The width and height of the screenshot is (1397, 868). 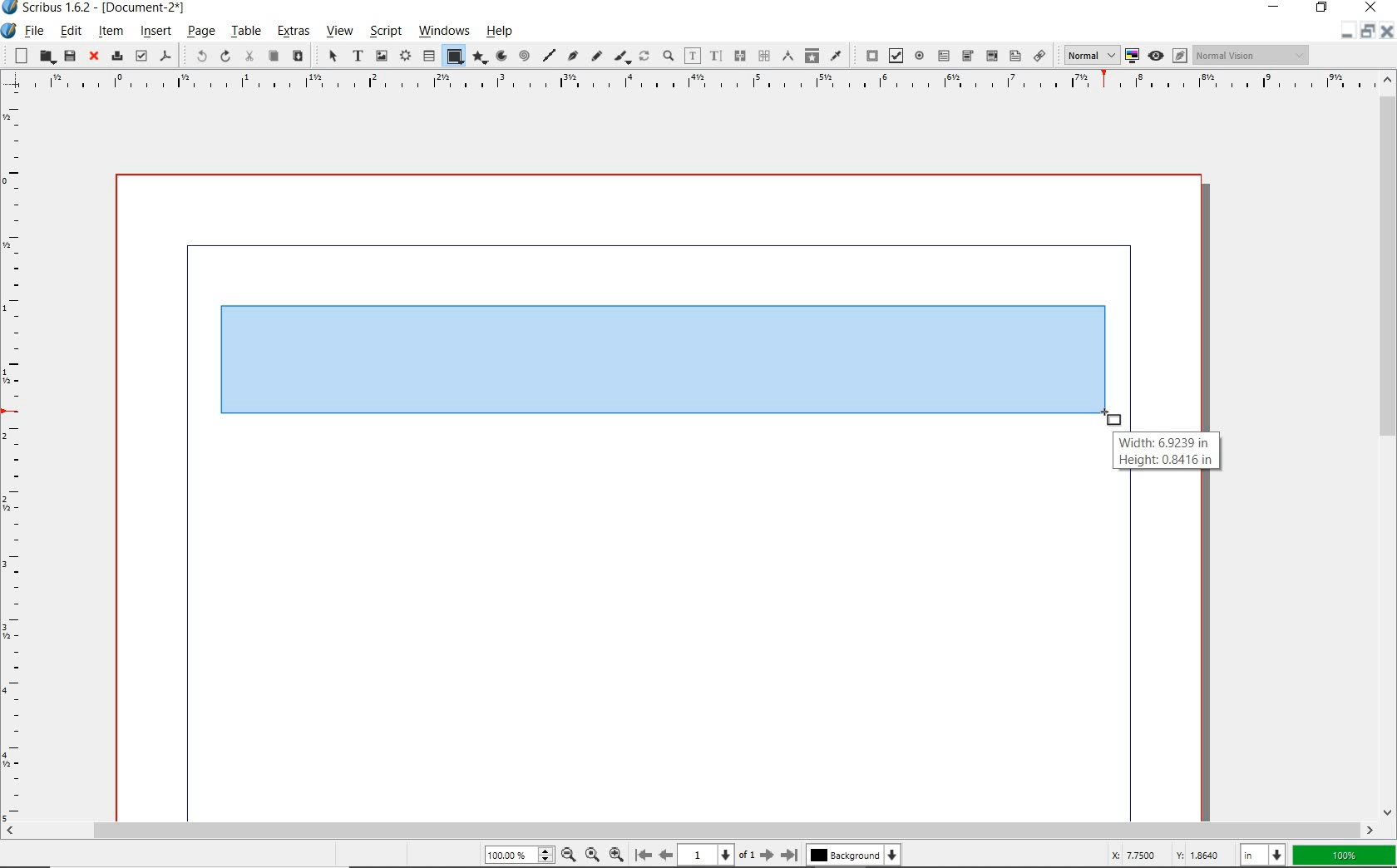 I want to click on table, so click(x=246, y=31).